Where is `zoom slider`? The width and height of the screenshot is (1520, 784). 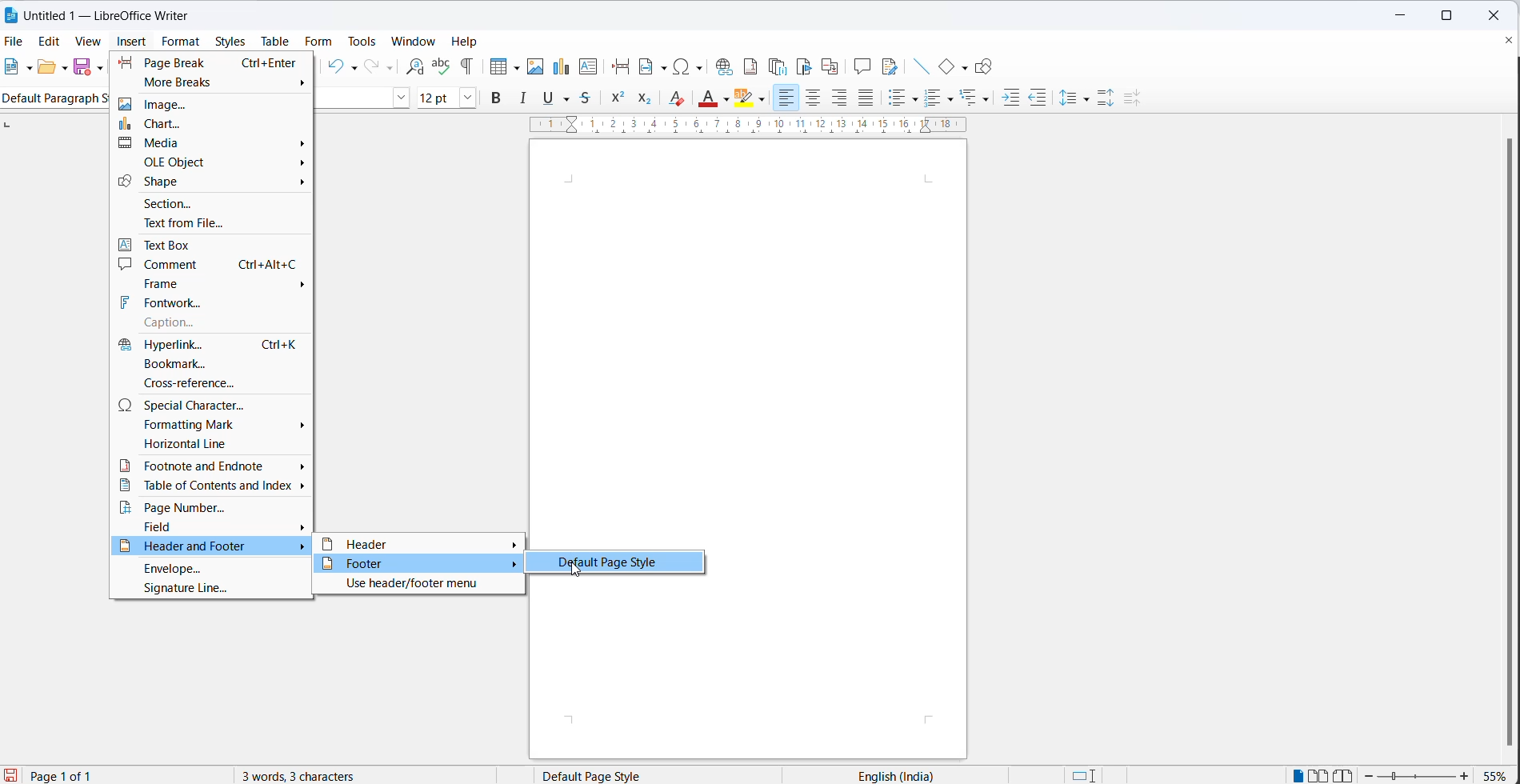
zoom slider is located at coordinates (1417, 777).